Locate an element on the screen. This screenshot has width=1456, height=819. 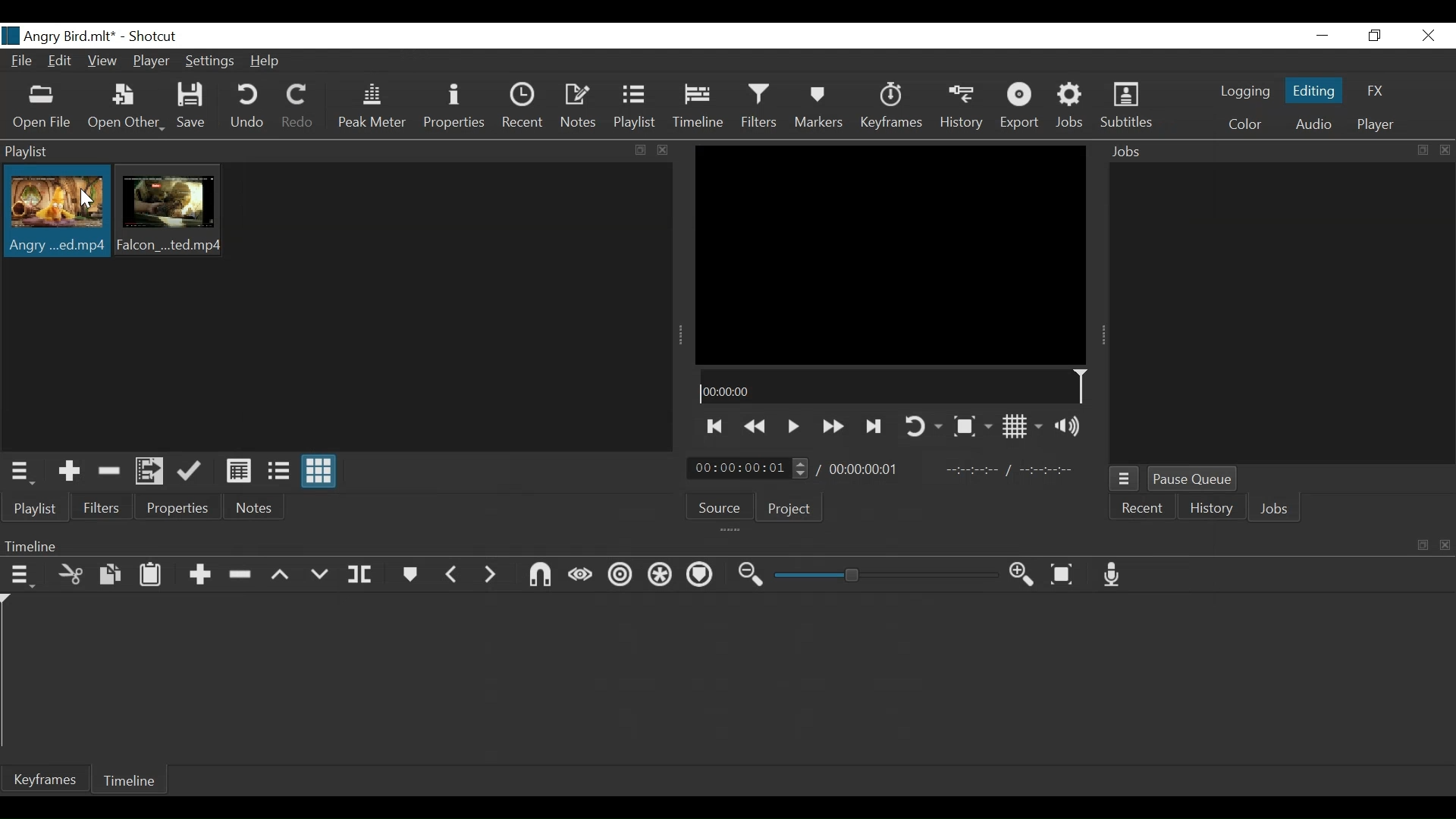
Settings is located at coordinates (210, 61).